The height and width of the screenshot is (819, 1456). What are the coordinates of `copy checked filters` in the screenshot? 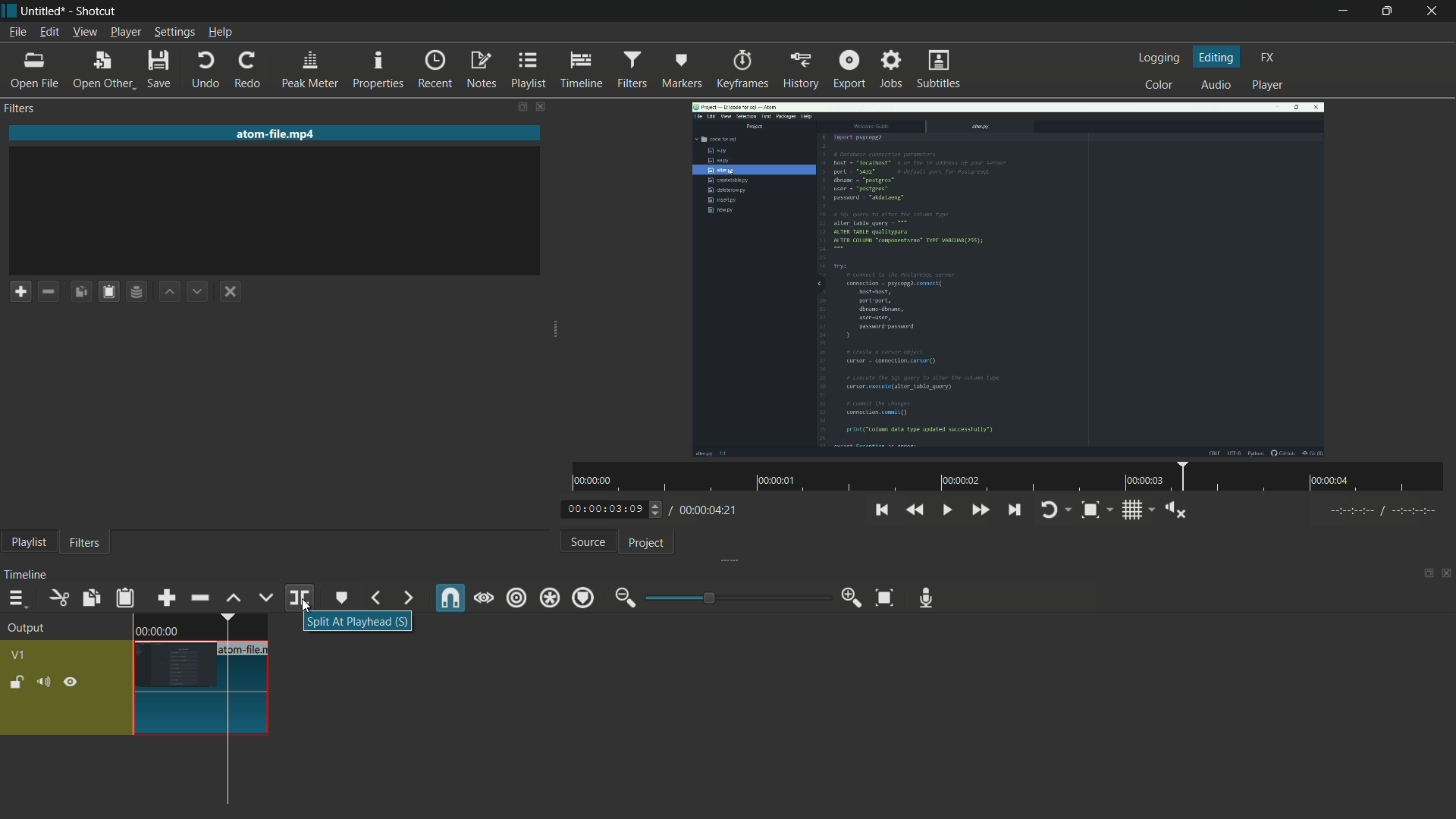 It's located at (80, 291).